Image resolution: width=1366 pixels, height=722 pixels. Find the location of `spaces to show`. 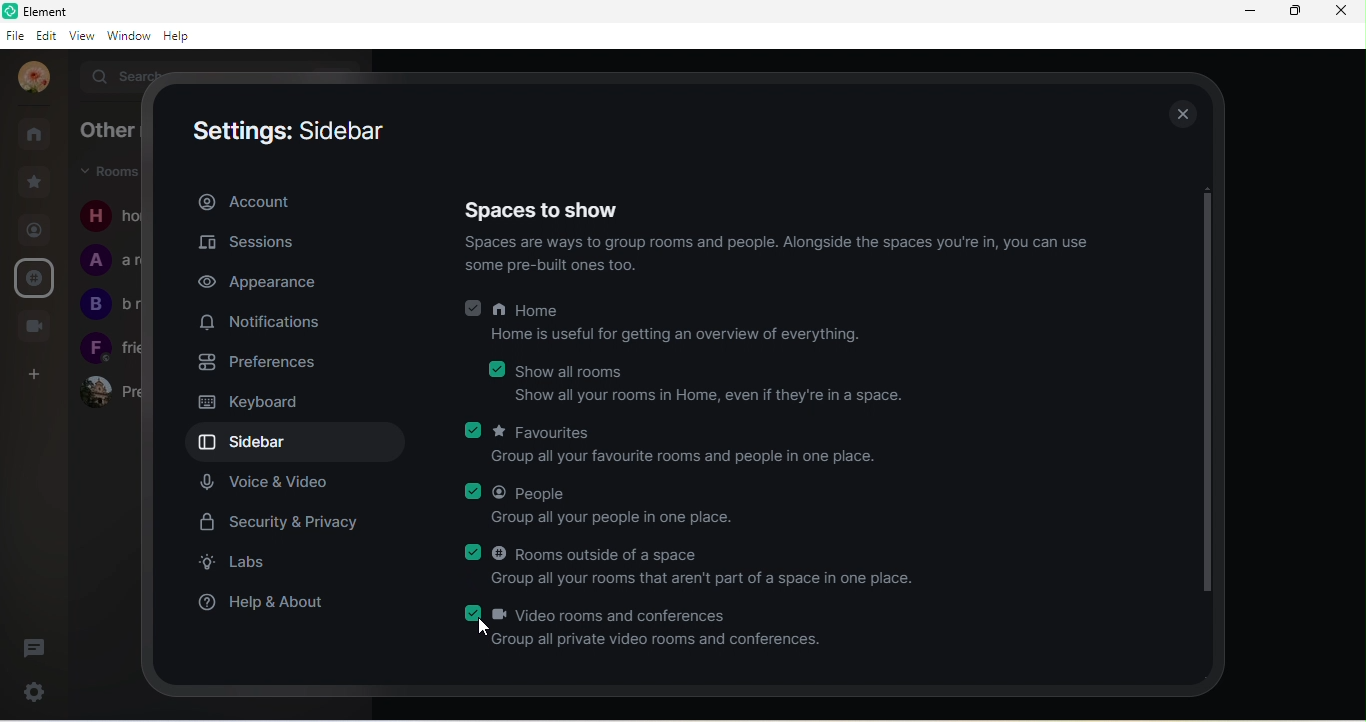

spaces to show is located at coordinates (551, 208).